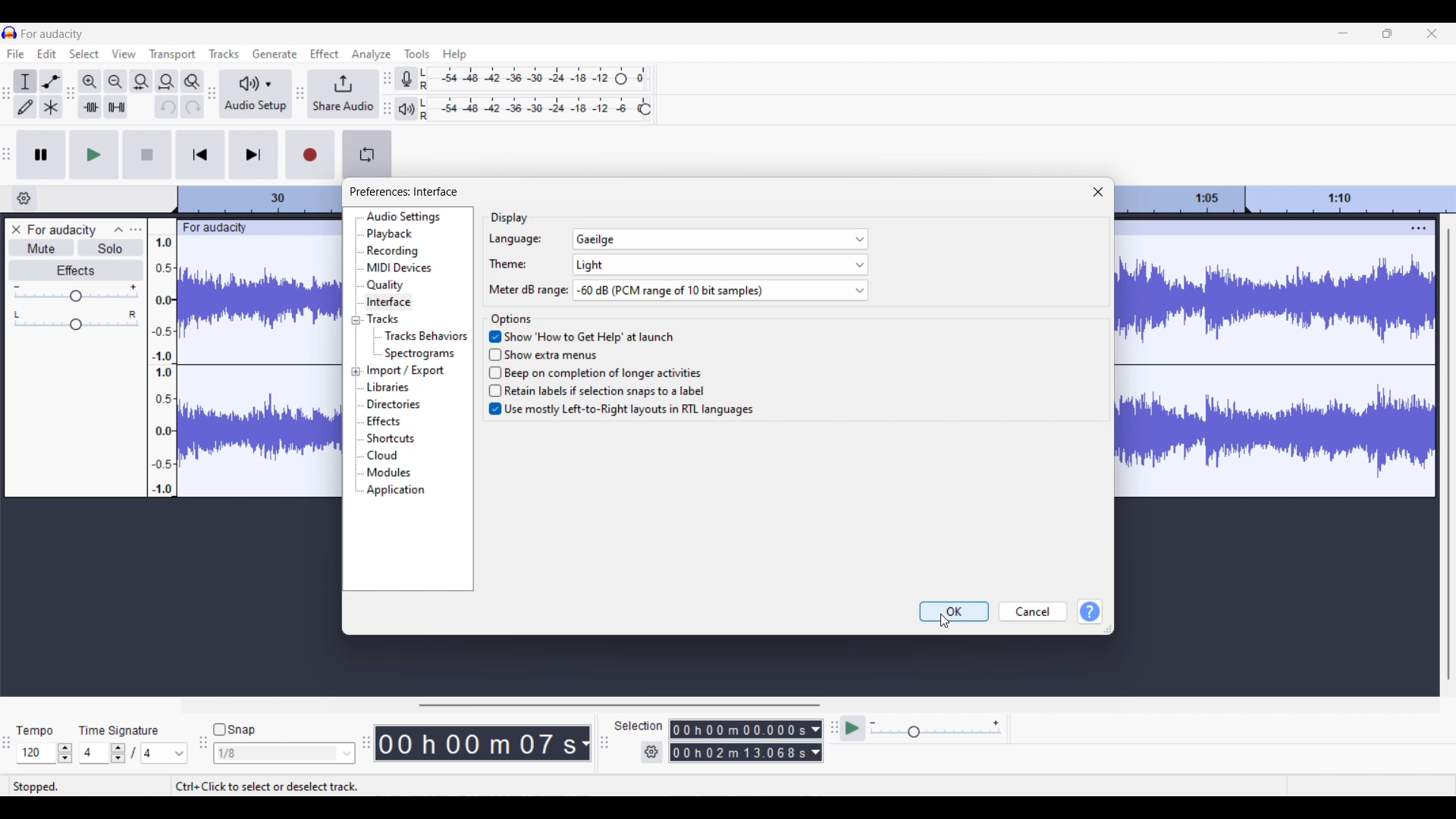 Image resolution: width=1456 pixels, height=819 pixels. Describe the element at coordinates (392, 251) in the screenshot. I see `Recording` at that location.